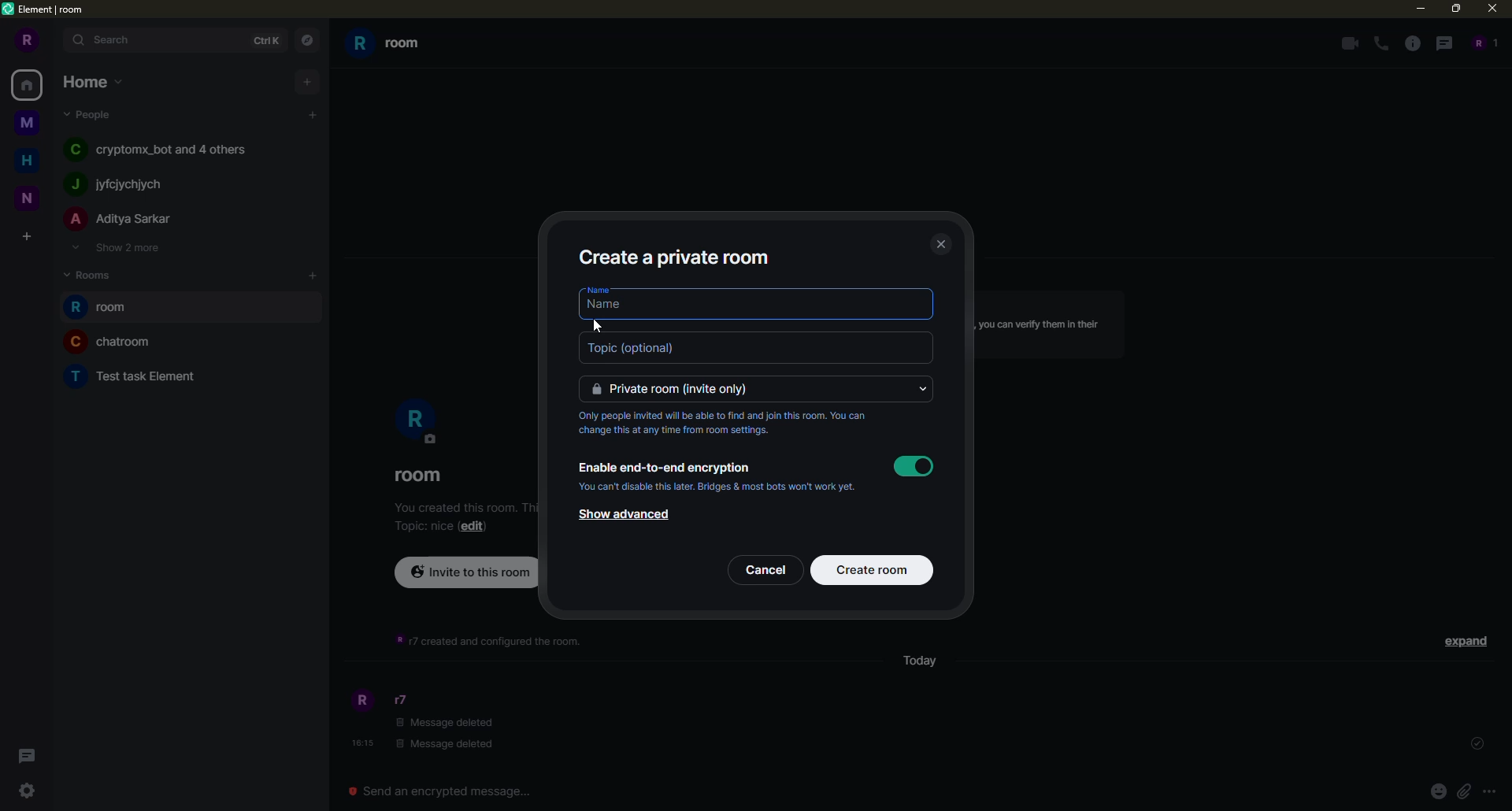 This screenshot has height=811, width=1512. Describe the element at coordinates (1484, 41) in the screenshot. I see `people` at that location.